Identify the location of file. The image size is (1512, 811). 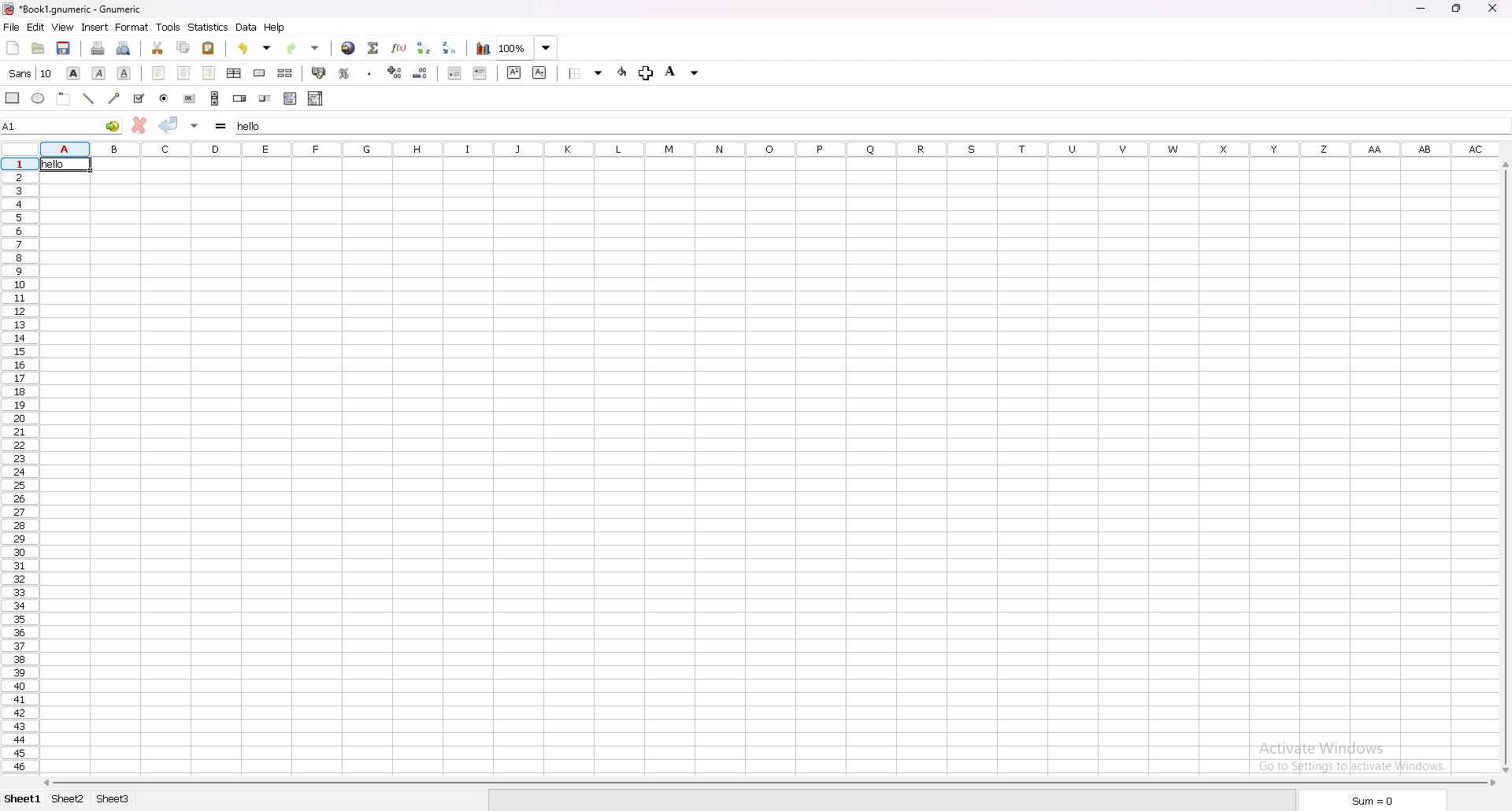
(12, 26).